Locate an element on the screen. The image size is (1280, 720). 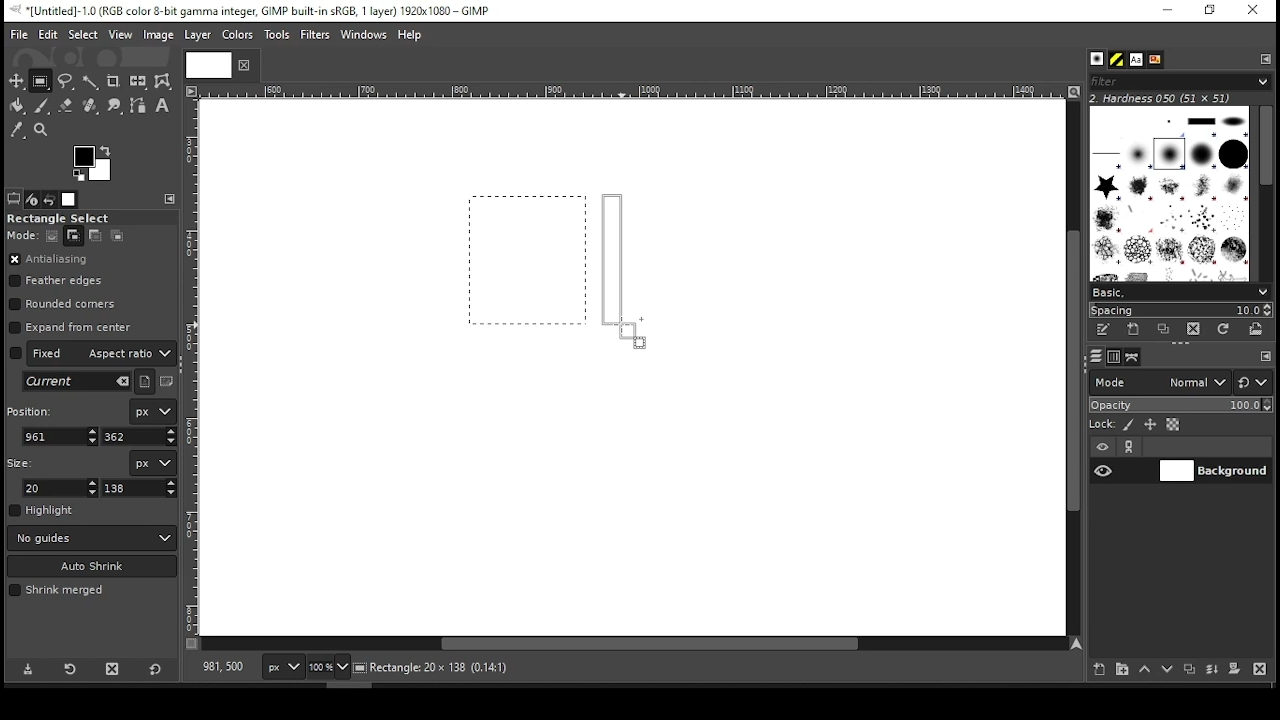
size is located at coordinates (24, 461).